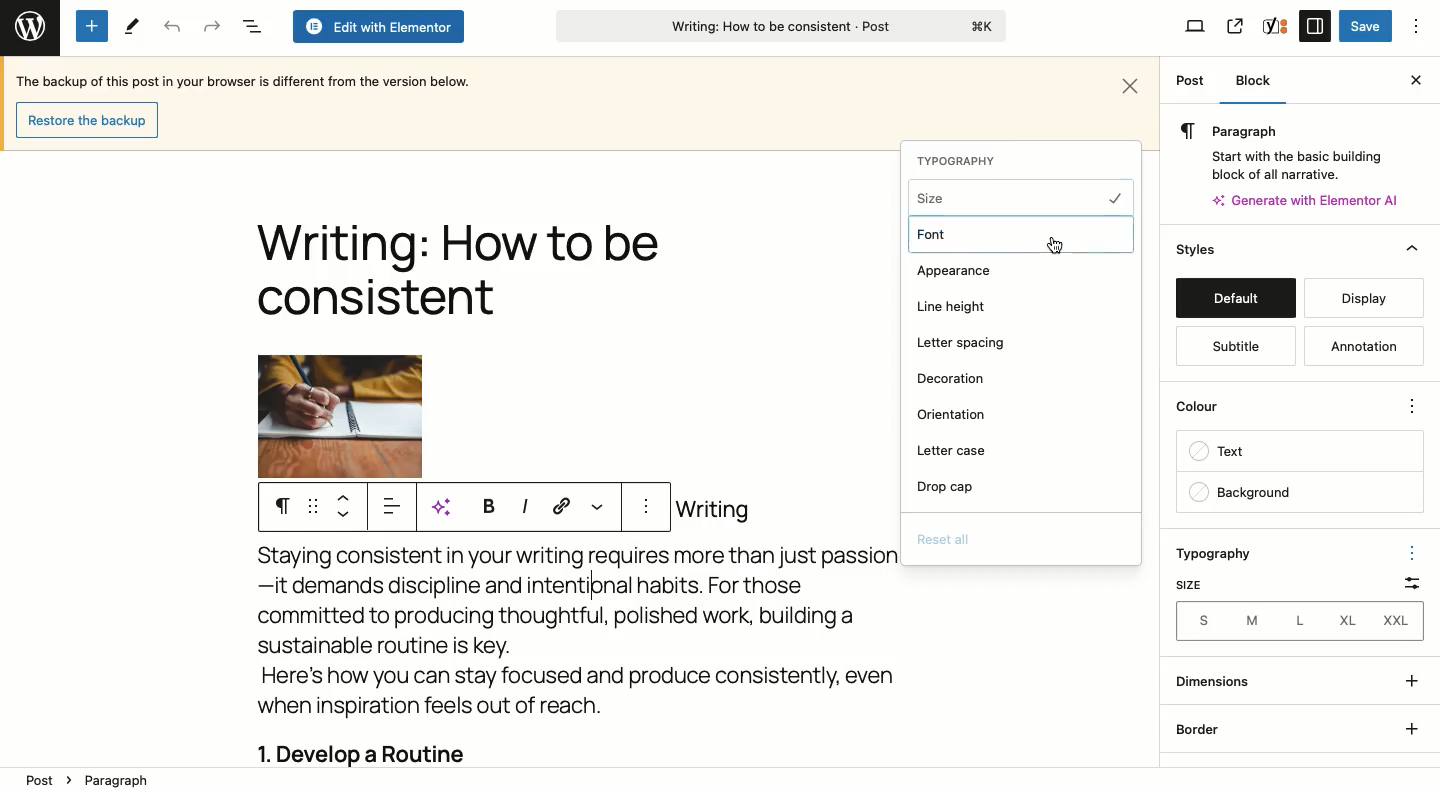 This screenshot has width=1440, height=792. I want to click on Decoration, so click(952, 379).